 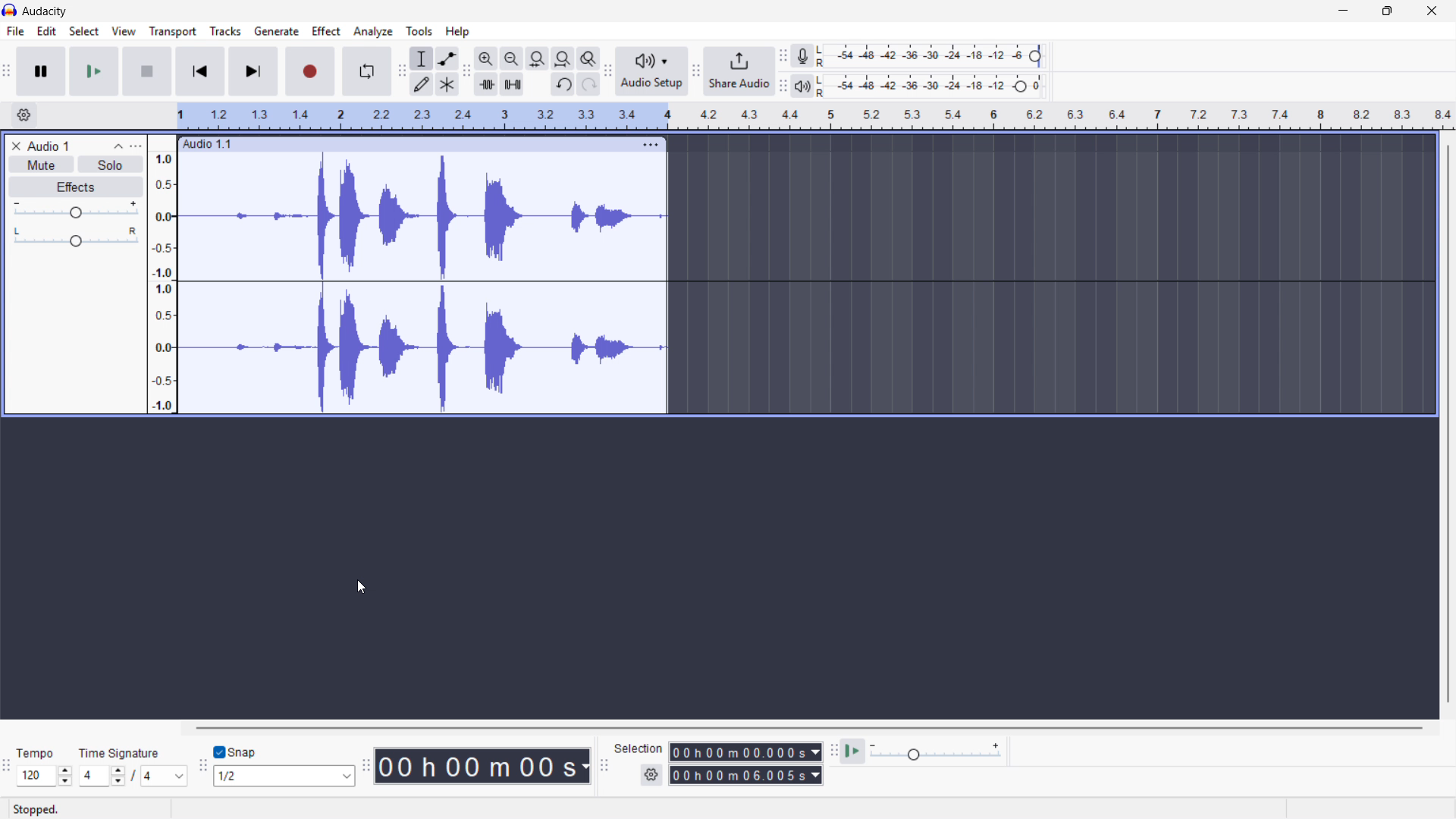 What do you see at coordinates (783, 56) in the screenshot?
I see `Recording metre toolbar` at bounding box center [783, 56].